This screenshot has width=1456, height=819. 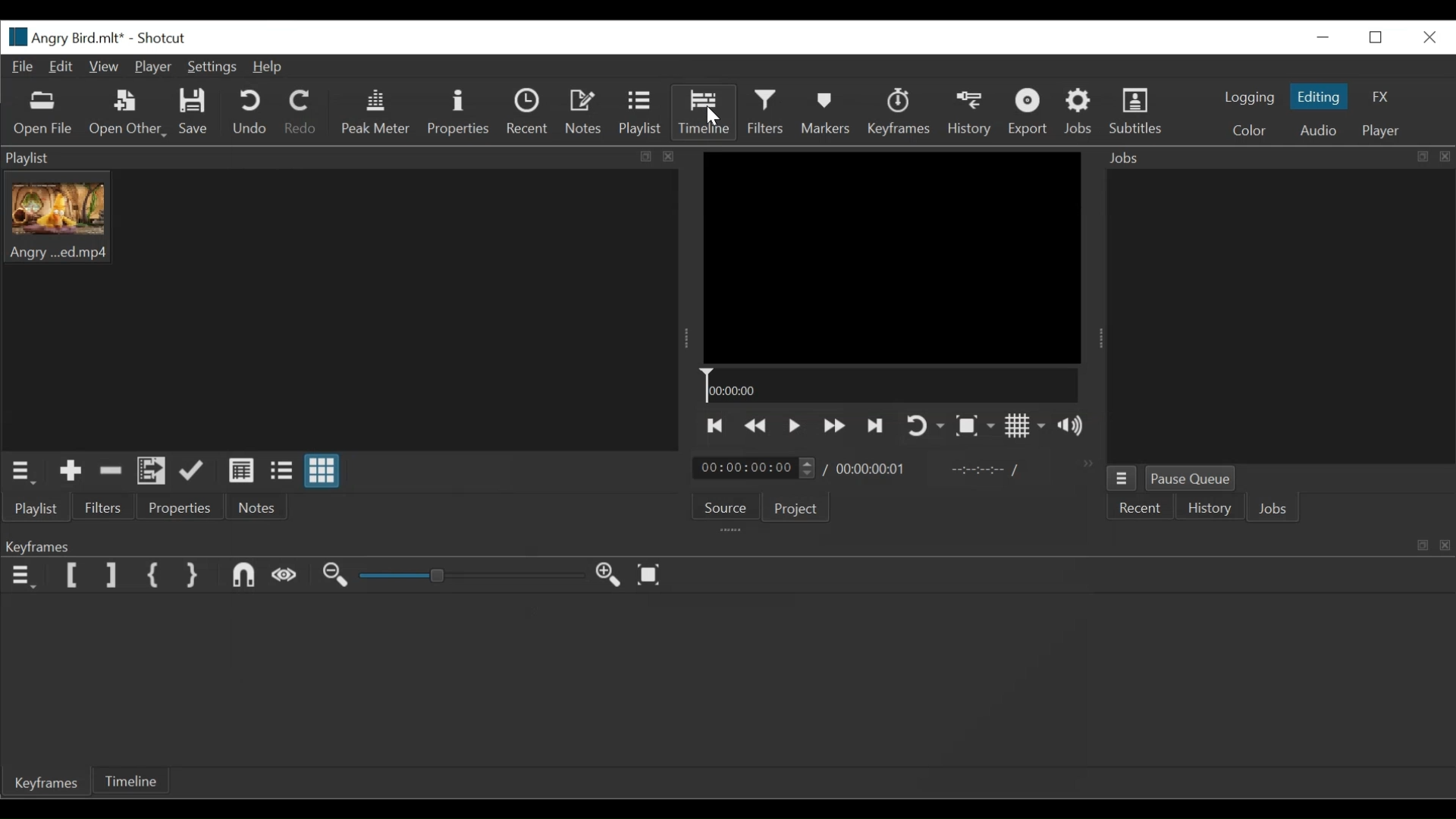 I want to click on Properties, so click(x=179, y=507).